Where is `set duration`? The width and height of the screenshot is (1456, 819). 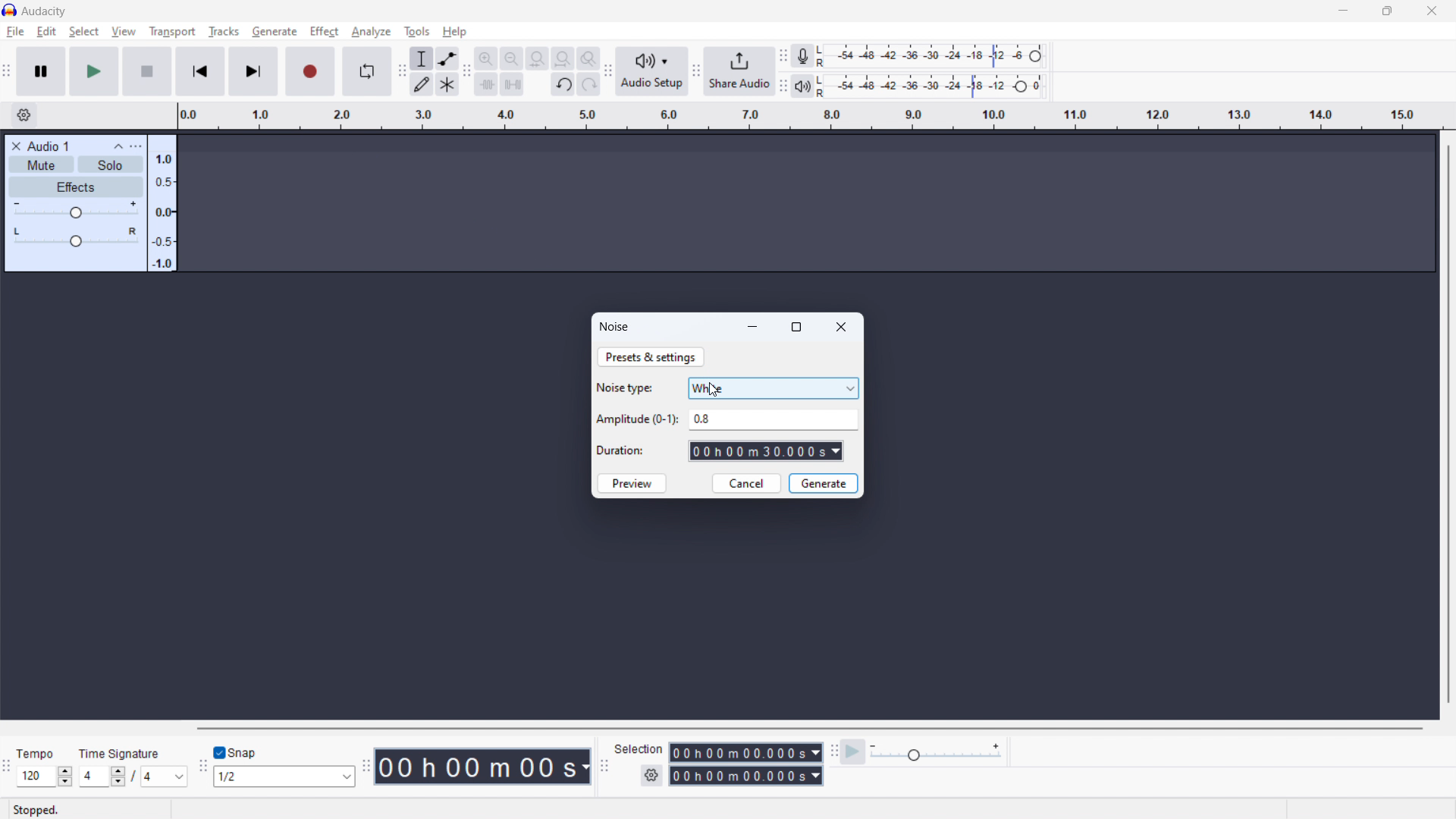 set duration is located at coordinates (767, 450).